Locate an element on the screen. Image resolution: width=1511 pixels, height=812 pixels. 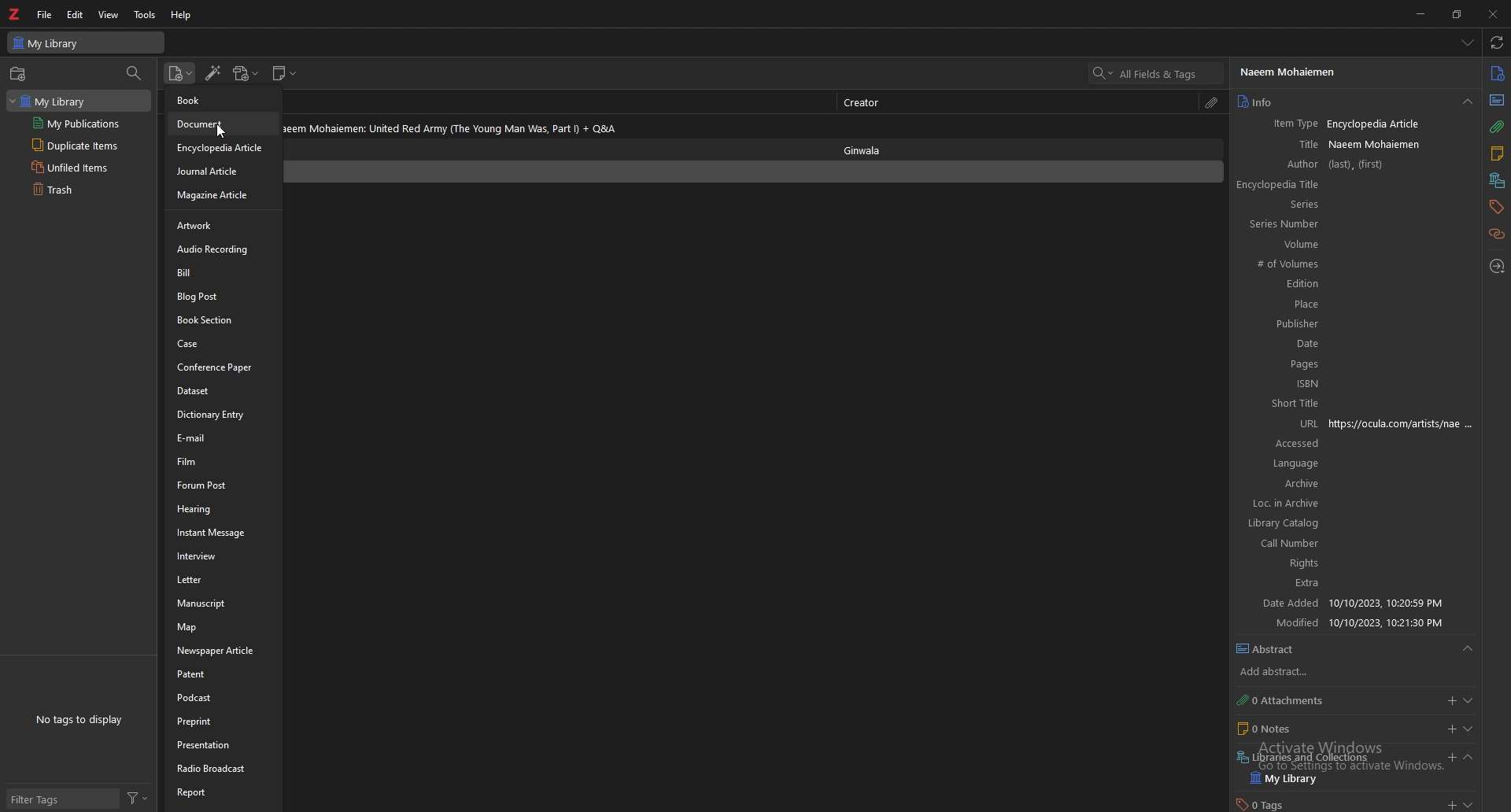
info is located at coordinates (1342, 102).